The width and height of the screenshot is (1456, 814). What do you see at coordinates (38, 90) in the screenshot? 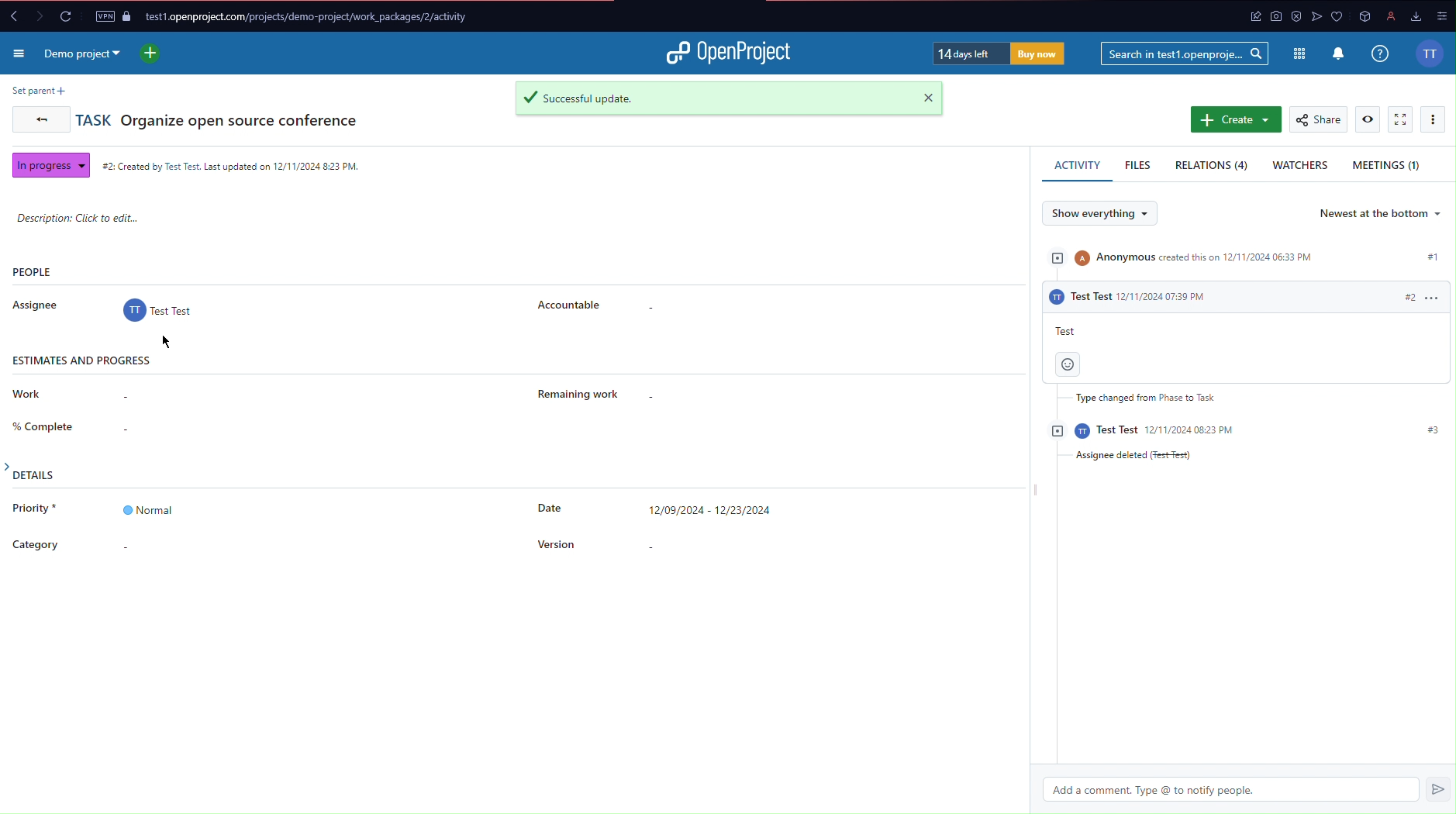
I see `Set parent` at bounding box center [38, 90].